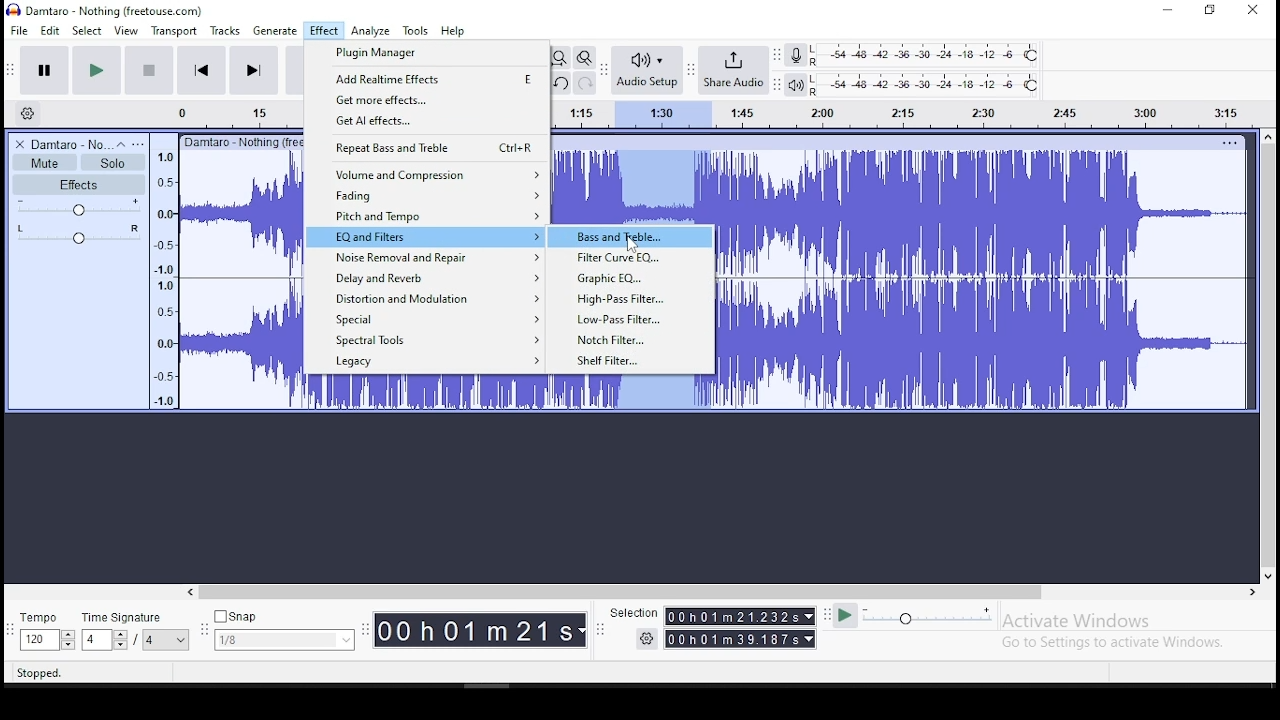 The height and width of the screenshot is (720, 1280). Describe the element at coordinates (1074, 621) in the screenshot. I see `Activate windows` at that location.